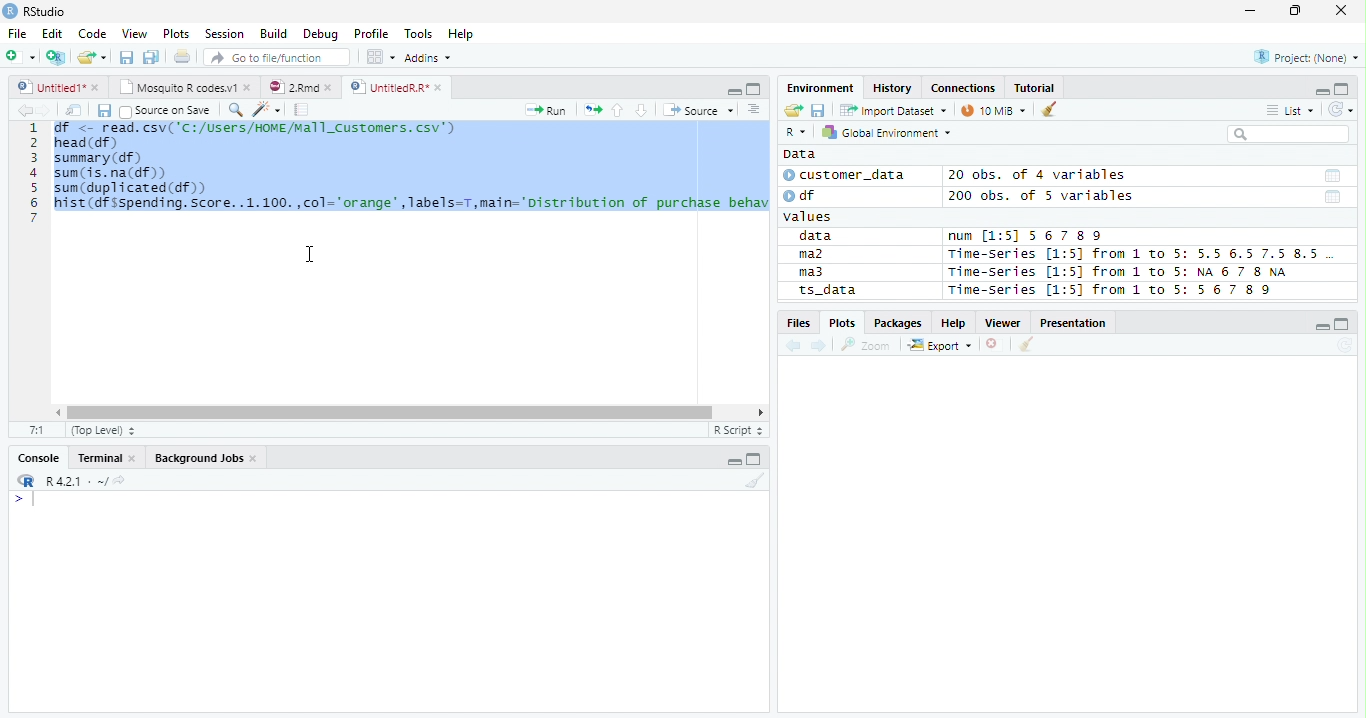  Describe the element at coordinates (816, 272) in the screenshot. I see `ma3` at that location.